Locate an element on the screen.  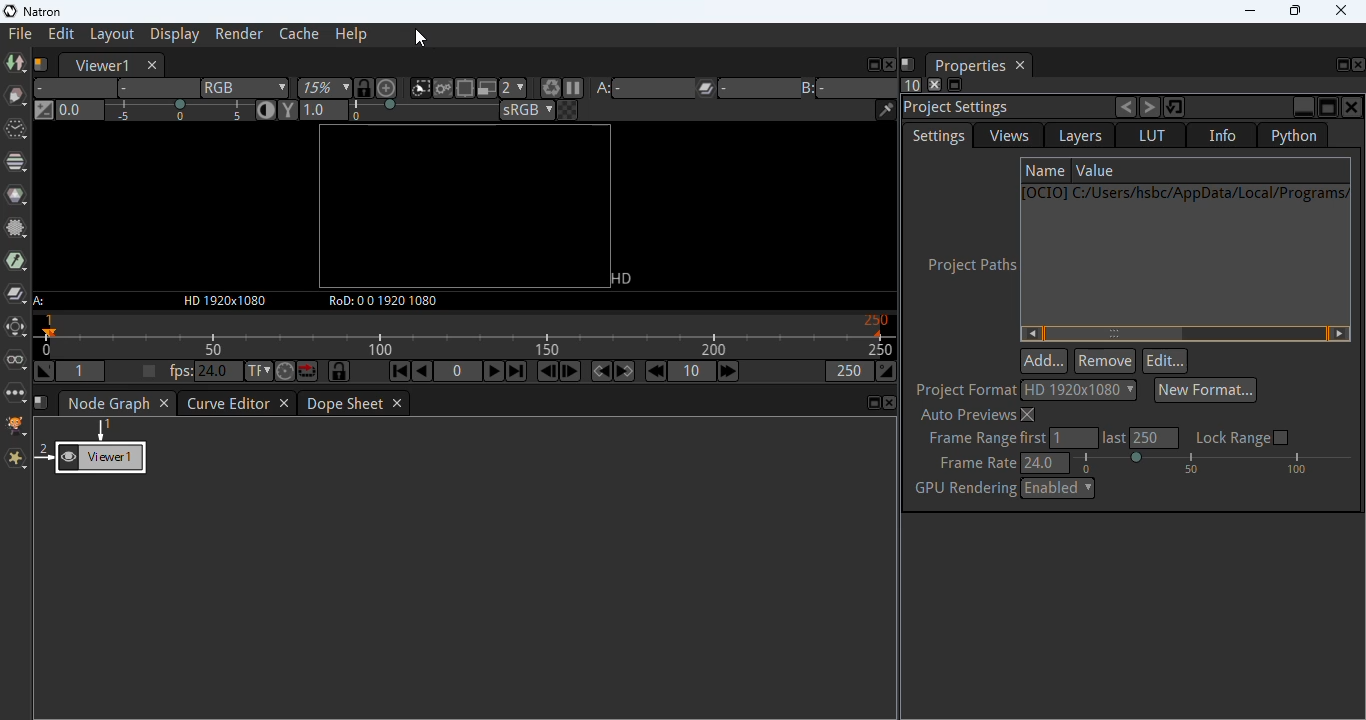
node graph is located at coordinates (108, 404).